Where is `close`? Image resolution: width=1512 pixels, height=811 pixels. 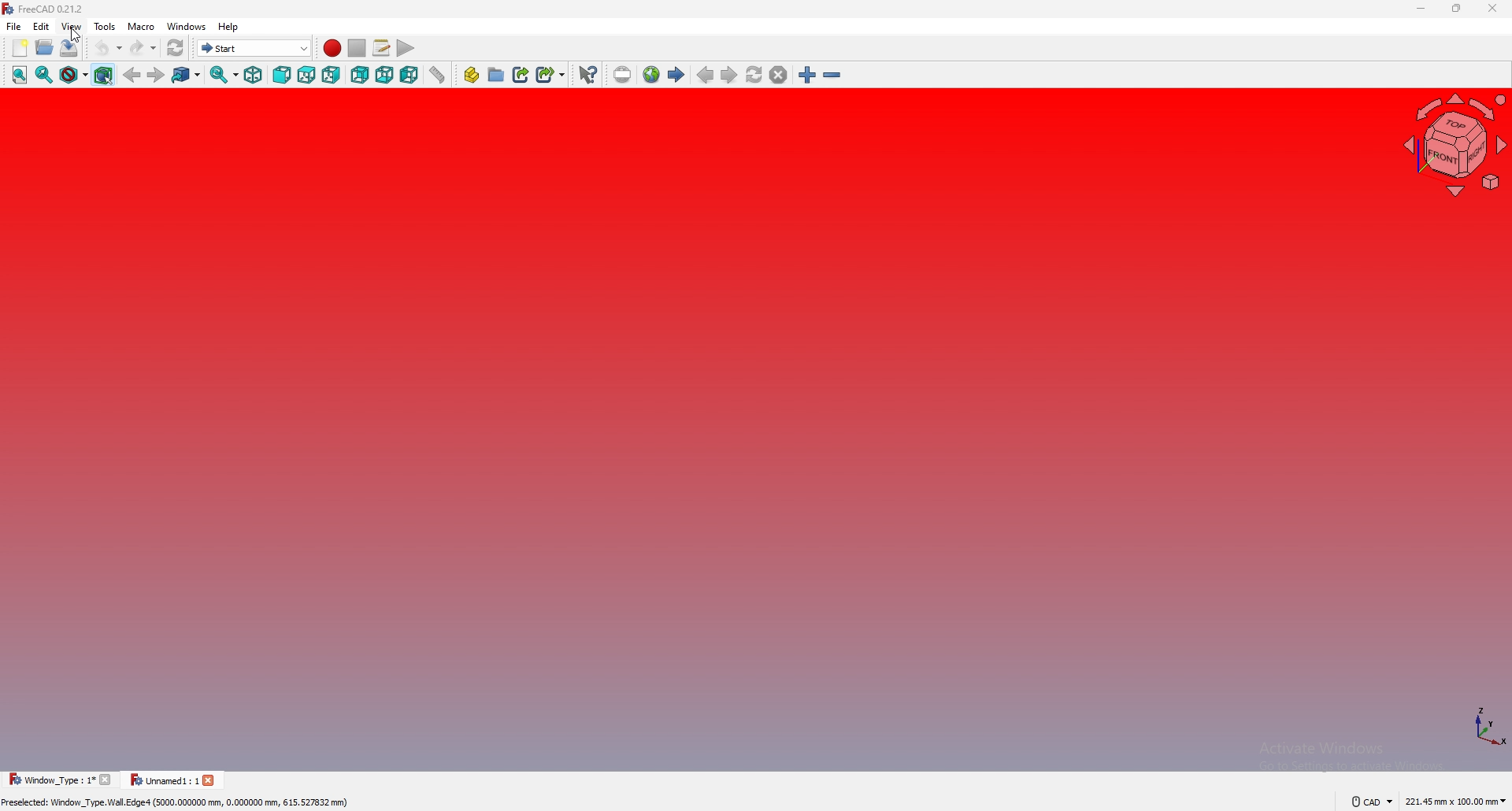 close is located at coordinates (211, 780).